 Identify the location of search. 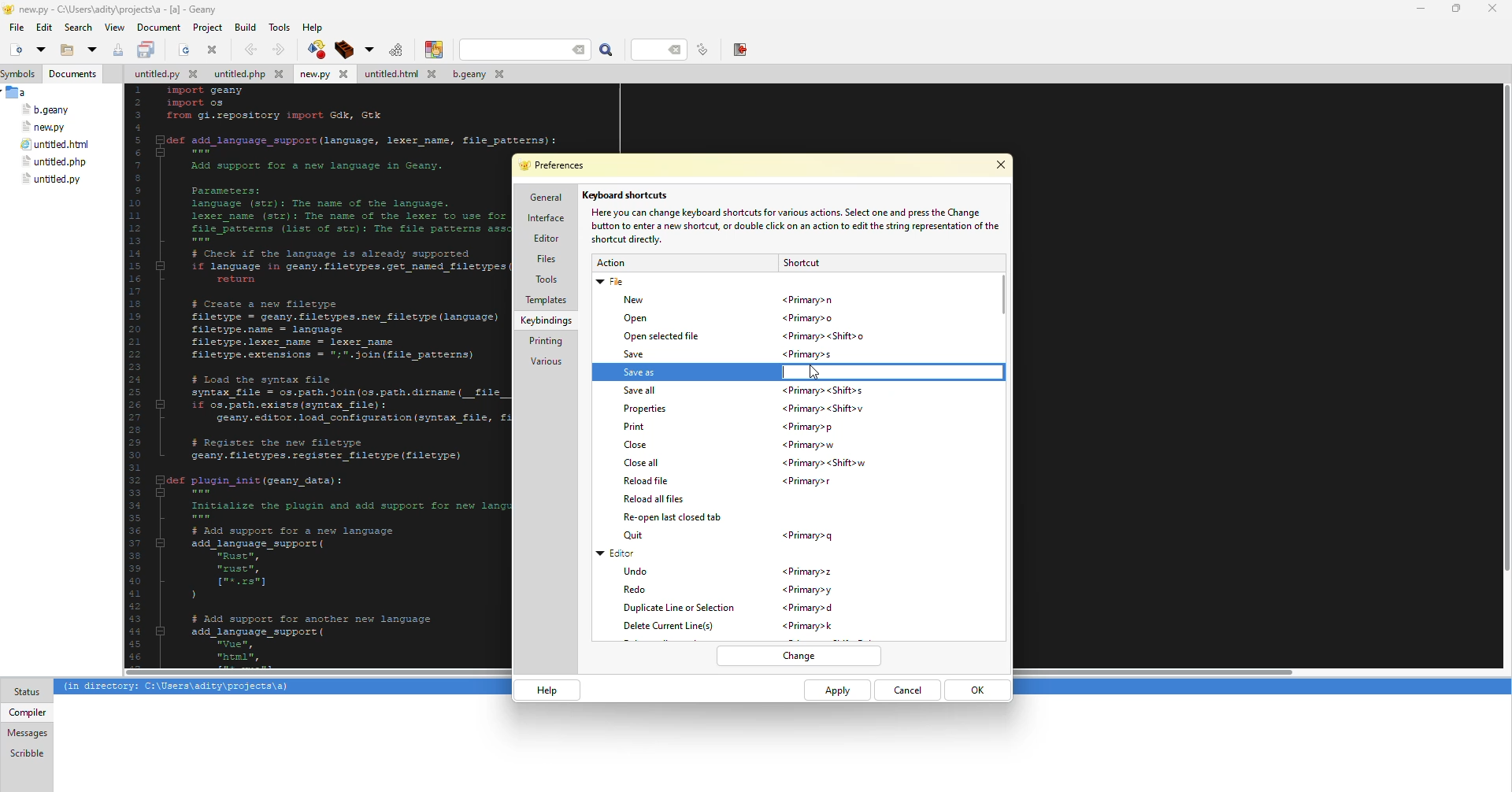
(607, 50).